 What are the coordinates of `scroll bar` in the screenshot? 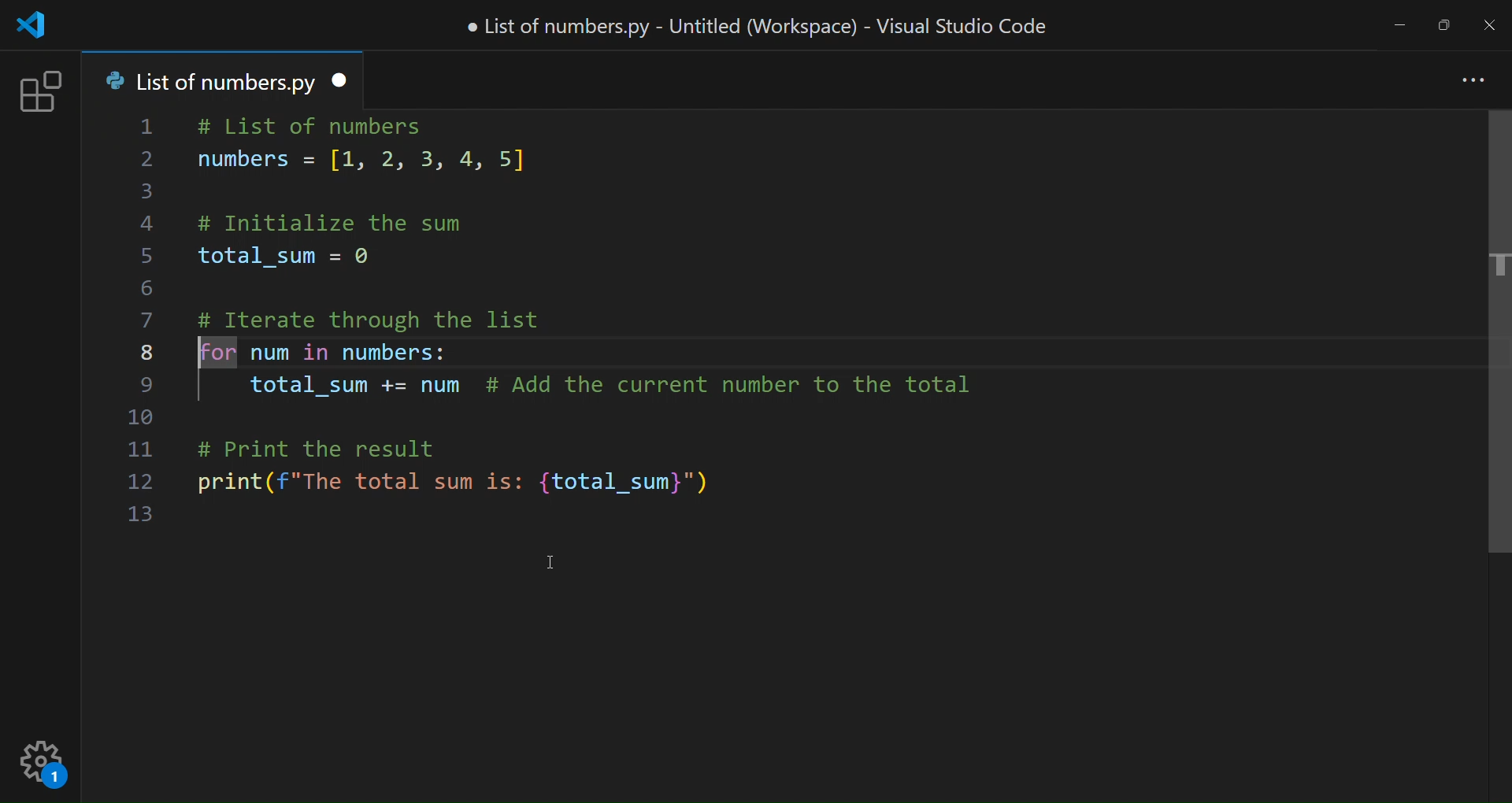 It's located at (1492, 335).